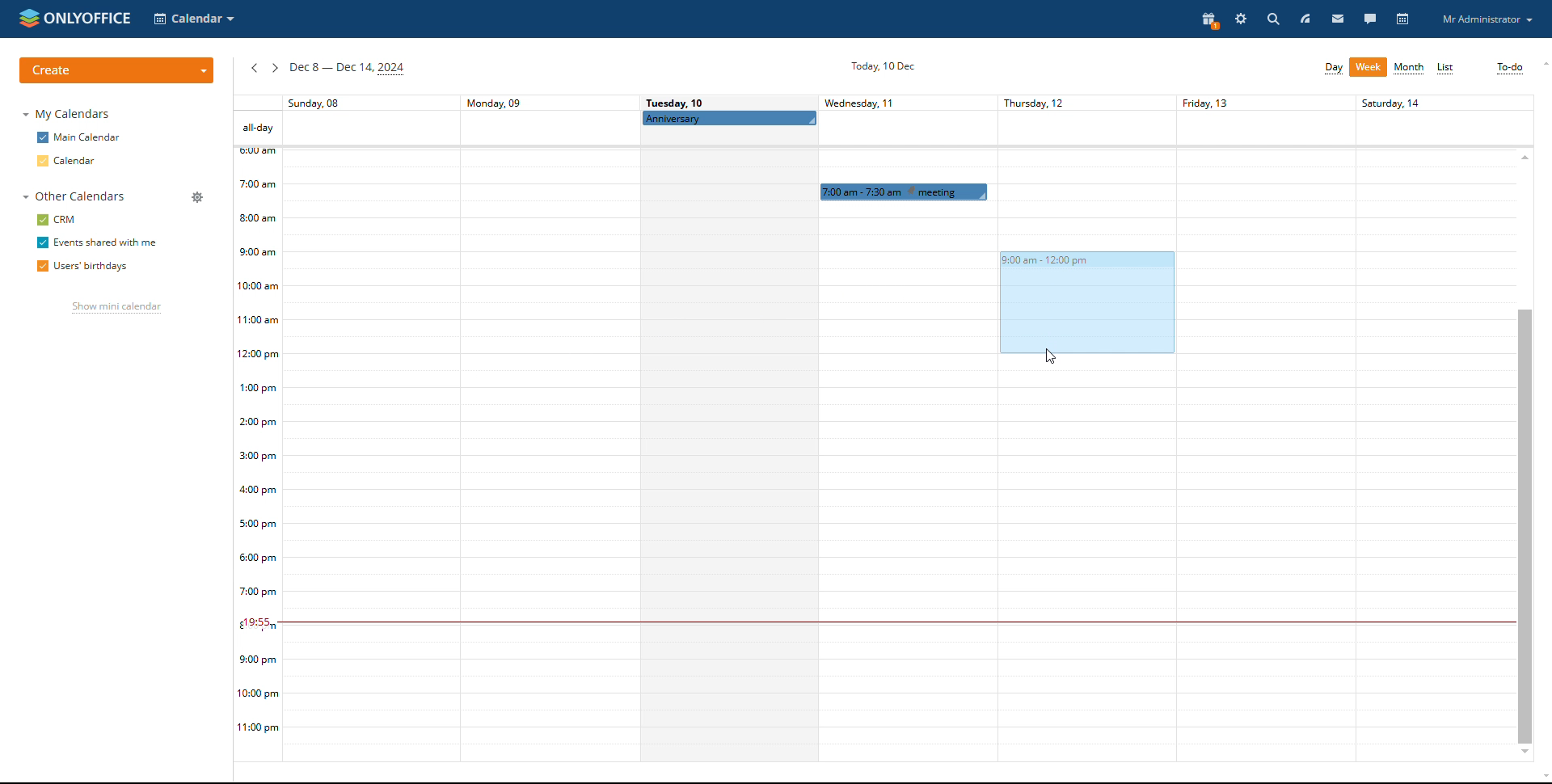 This screenshot has width=1552, height=784. Describe the element at coordinates (1206, 20) in the screenshot. I see `present` at that location.